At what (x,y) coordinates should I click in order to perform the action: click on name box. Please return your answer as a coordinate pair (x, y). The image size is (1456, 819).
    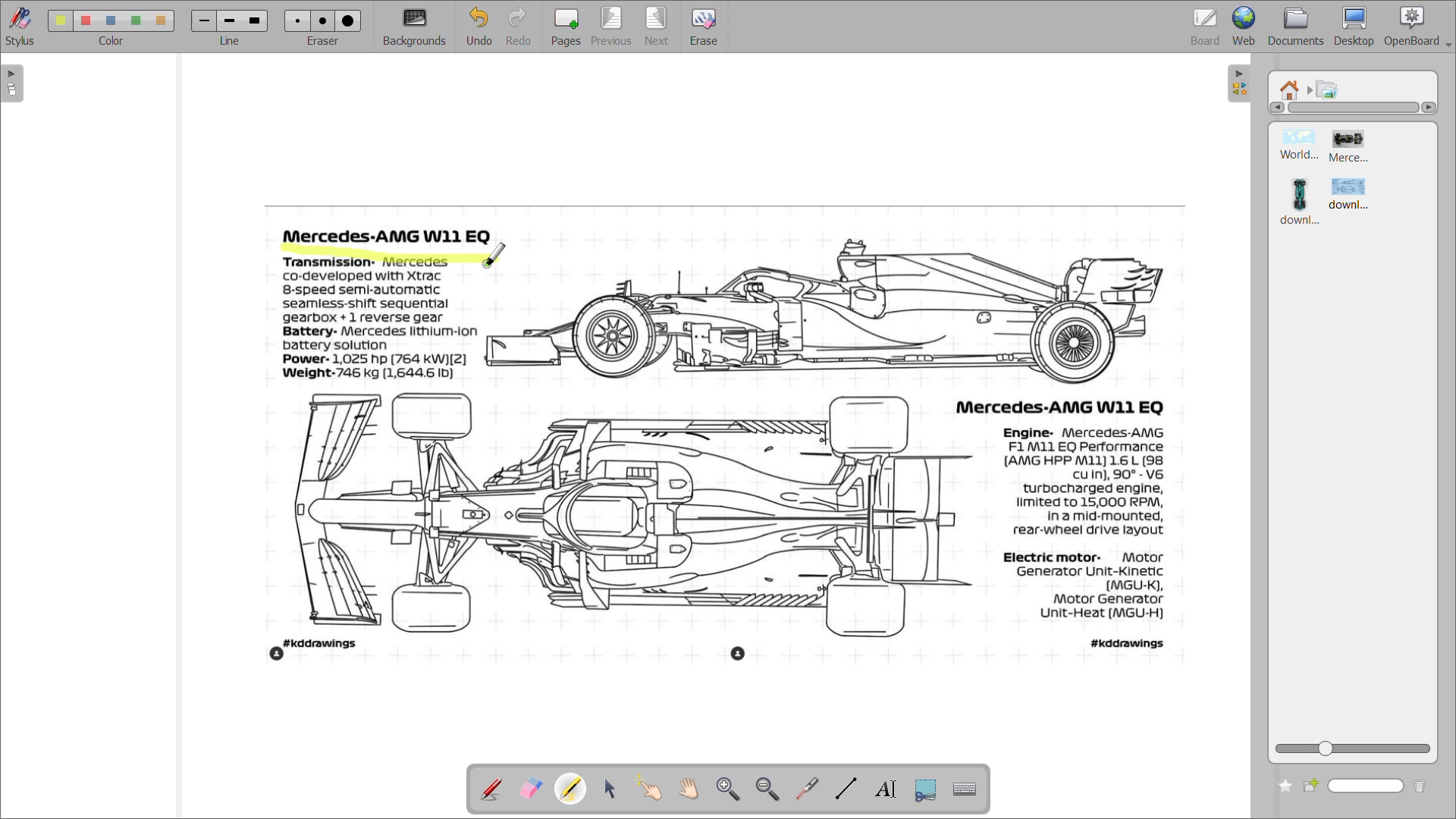
    Looking at the image, I should click on (1369, 786).